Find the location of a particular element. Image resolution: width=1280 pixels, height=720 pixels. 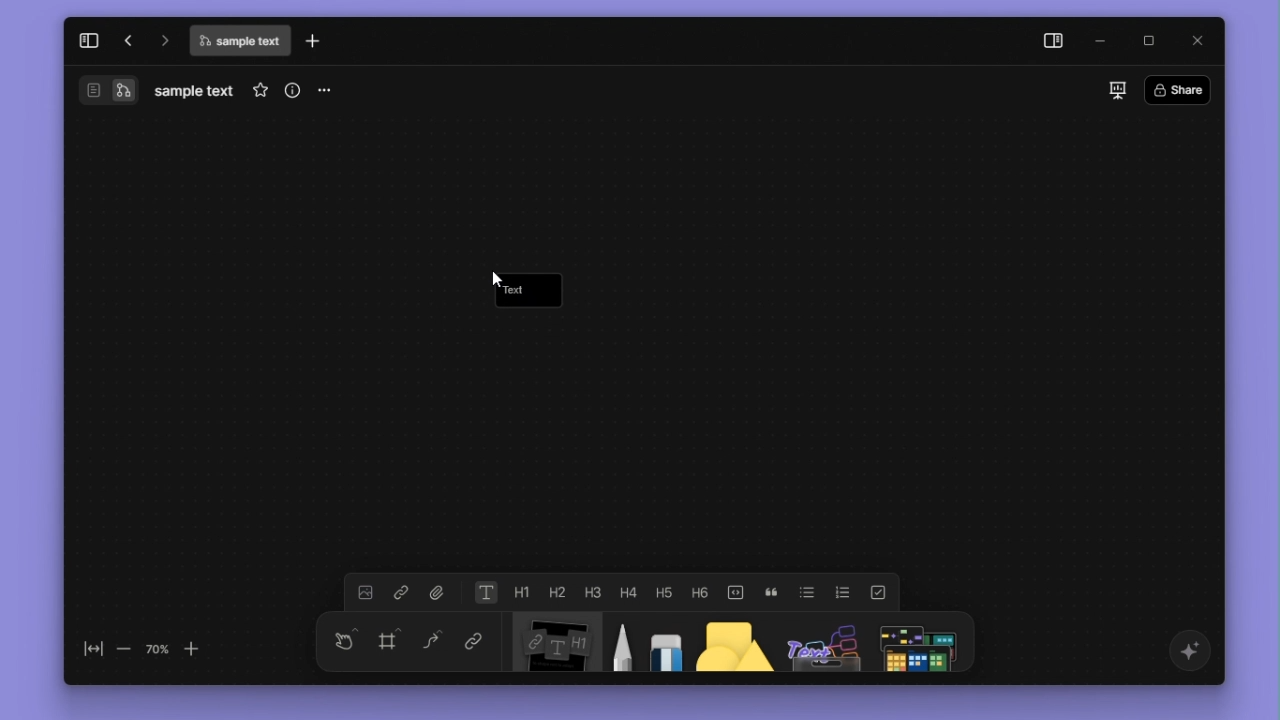

Zoom in is located at coordinates (202, 648).